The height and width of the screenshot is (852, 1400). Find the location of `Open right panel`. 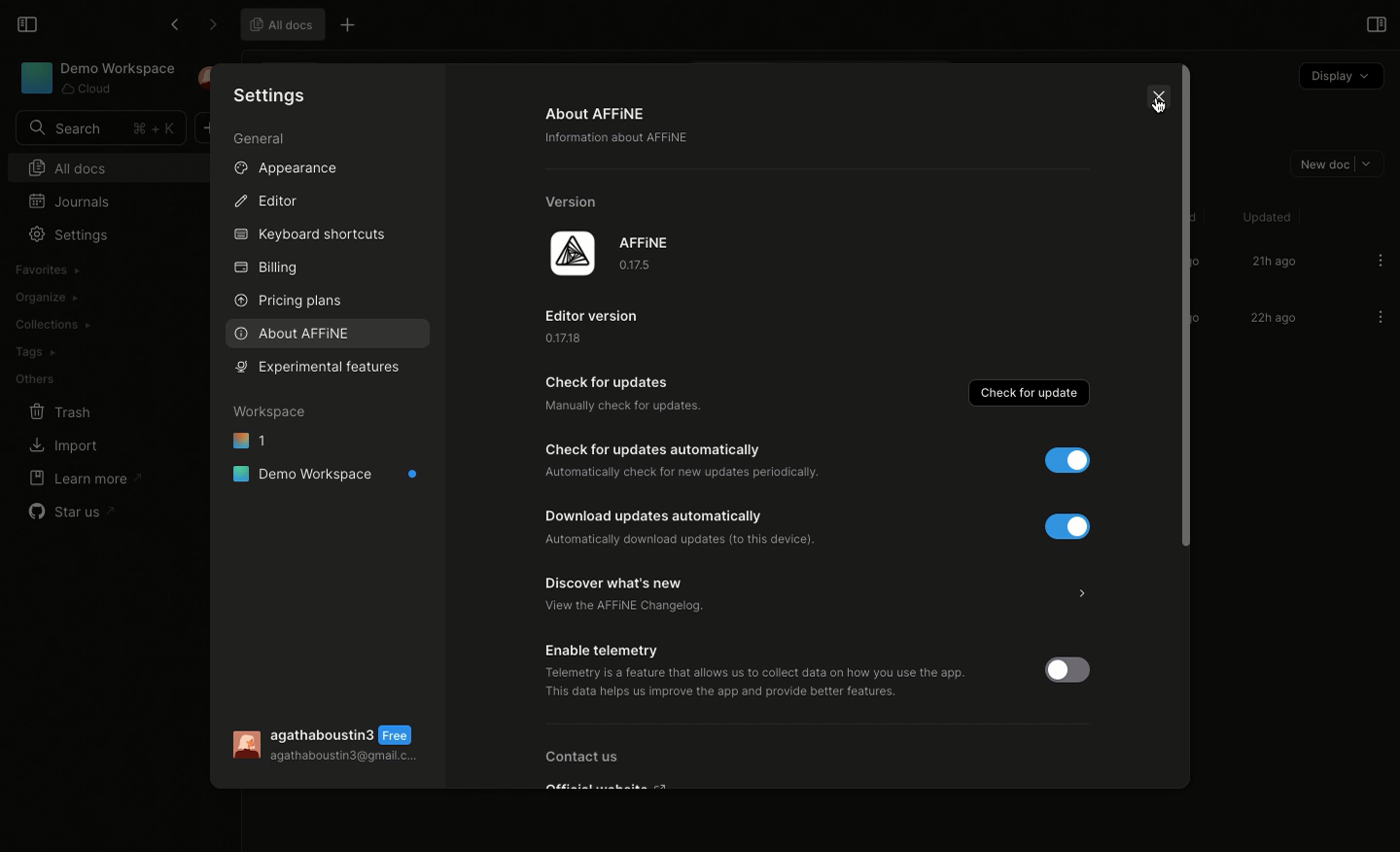

Open right panel is located at coordinates (1374, 23).